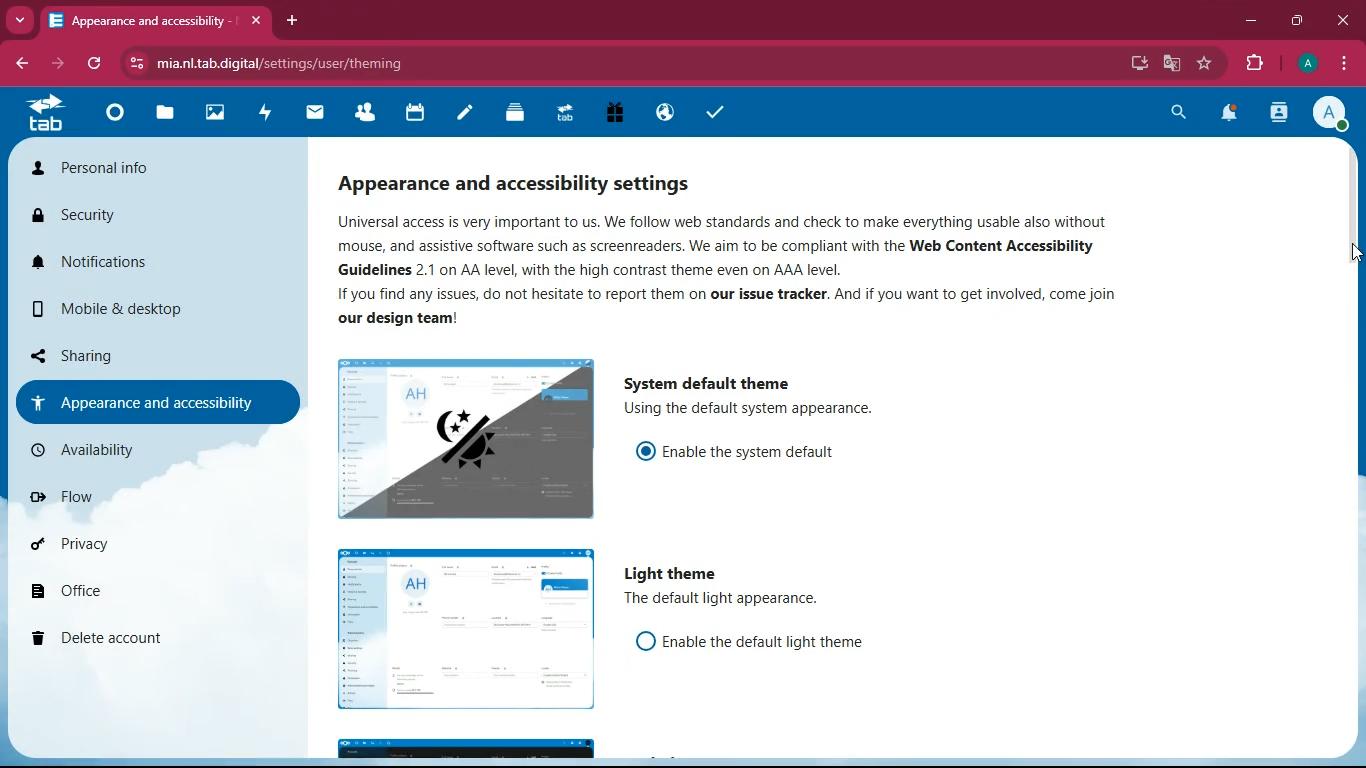 The image size is (1366, 768). Describe the element at coordinates (49, 112) in the screenshot. I see `tab` at that location.